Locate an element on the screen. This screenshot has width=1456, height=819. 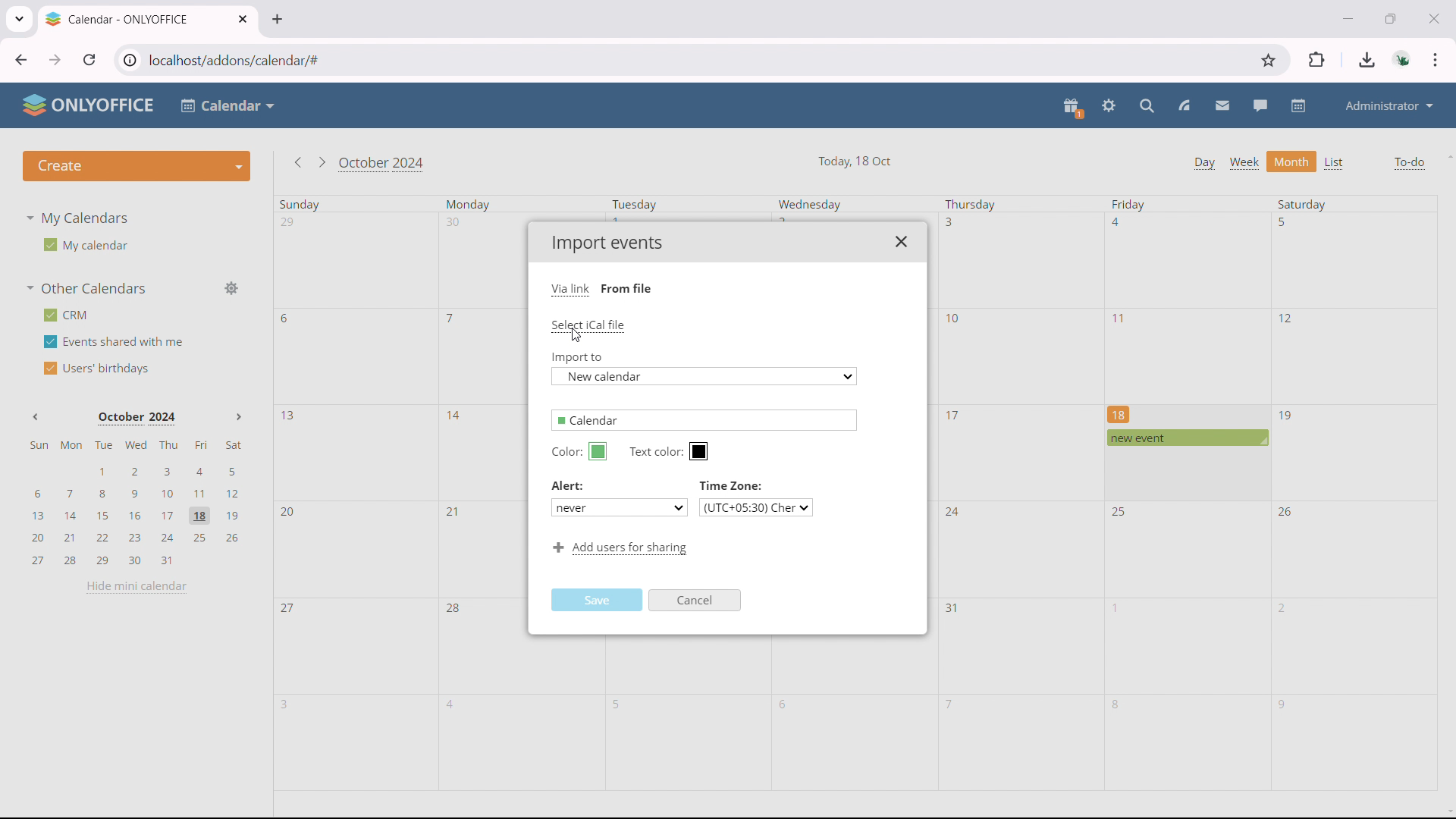
Monday is located at coordinates (469, 205).